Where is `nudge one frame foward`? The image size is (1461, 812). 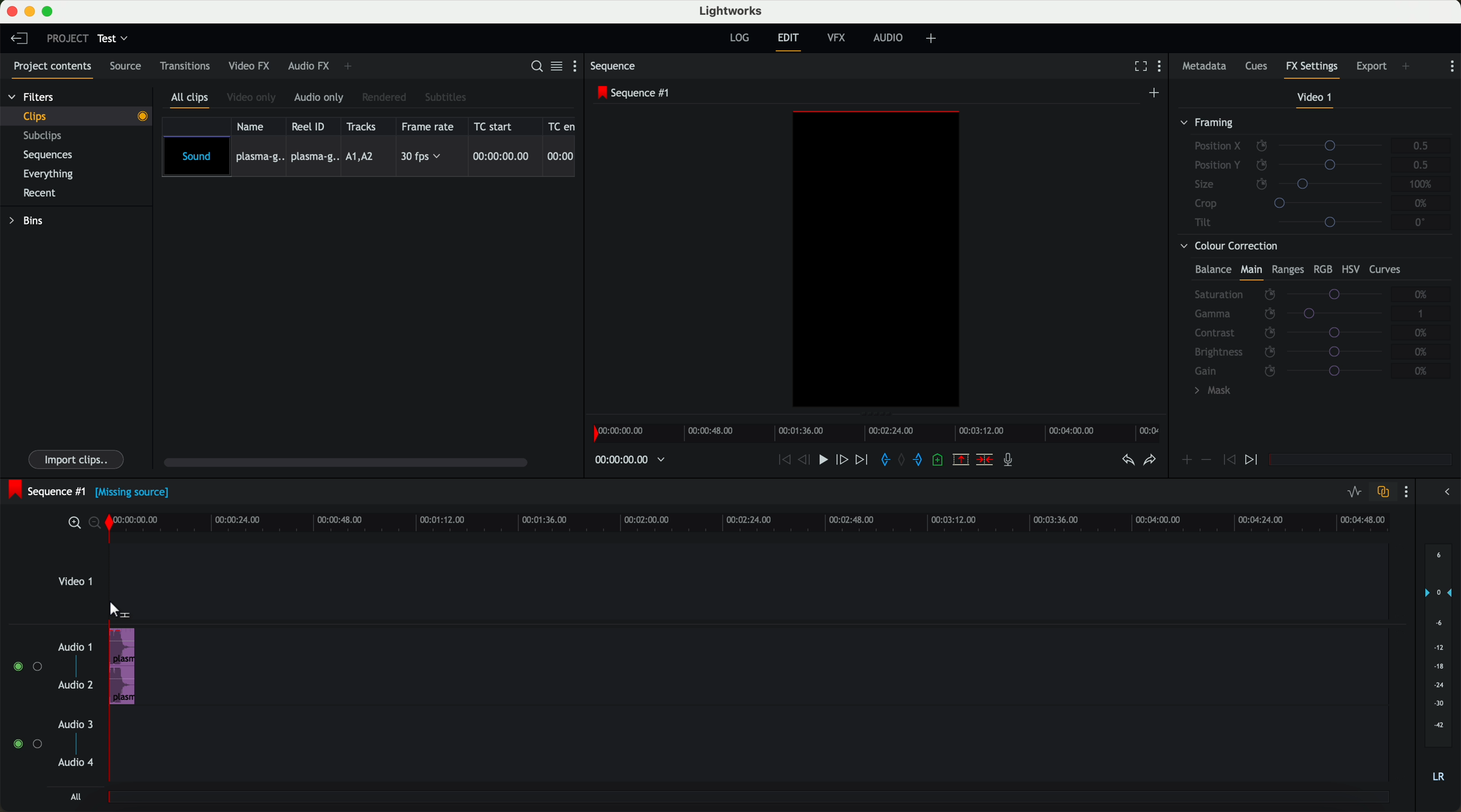
nudge one frame foward is located at coordinates (844, 459).